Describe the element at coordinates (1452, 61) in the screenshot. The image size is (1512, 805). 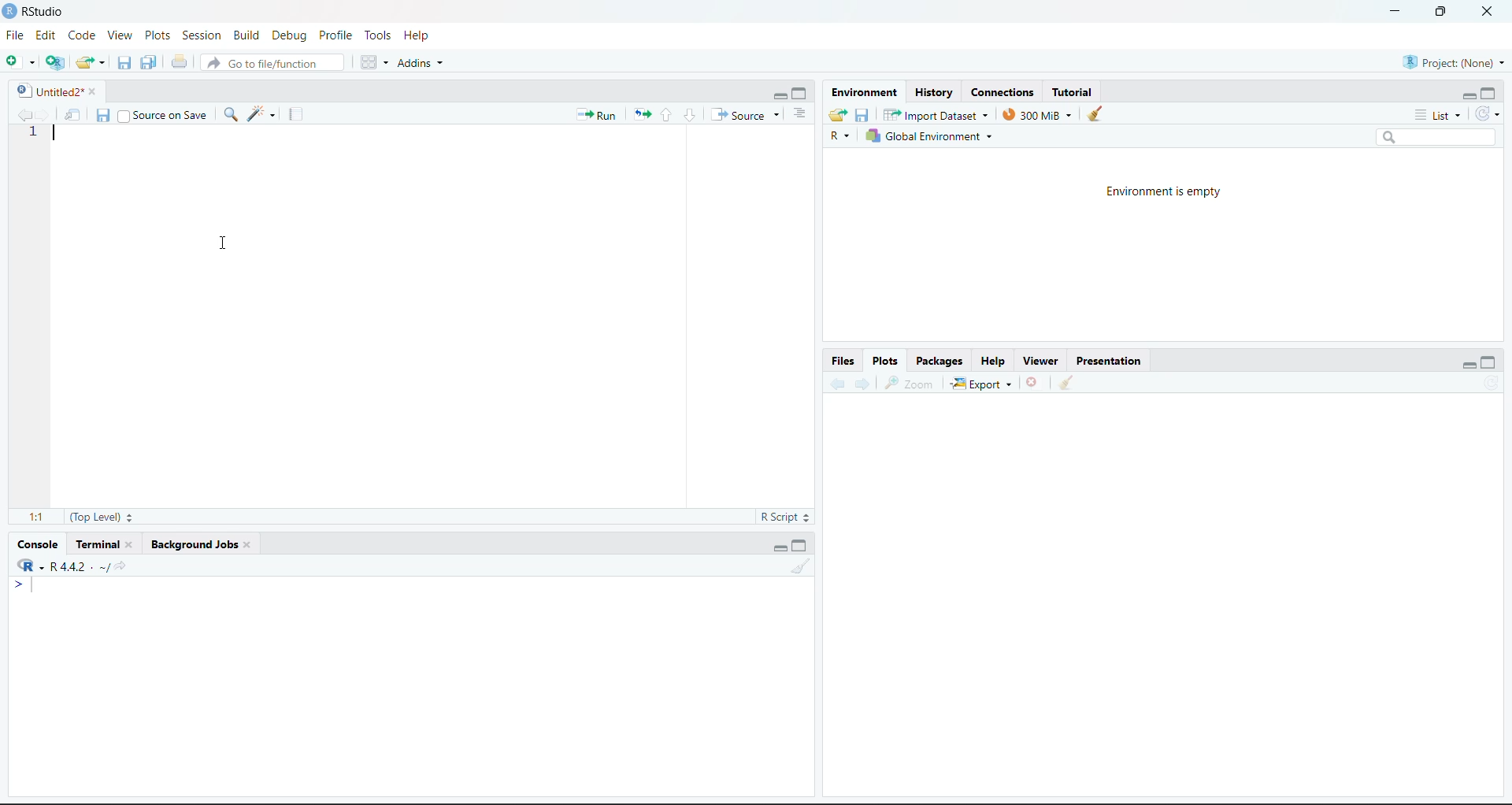
I see ` Project: (None) ` at that location.